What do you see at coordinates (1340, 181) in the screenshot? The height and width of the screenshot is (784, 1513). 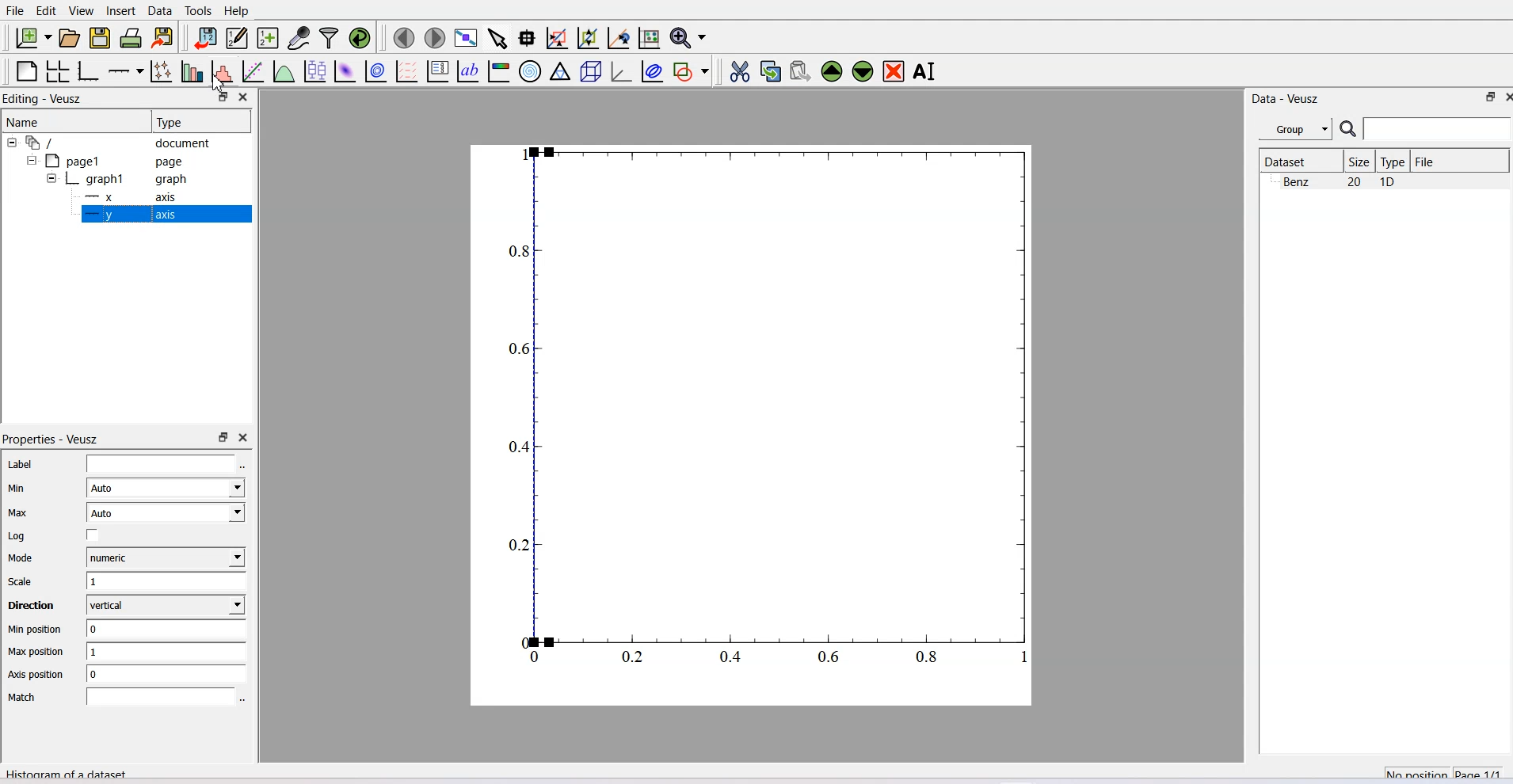 I see `Benz 20 10 ` at bounding box center [1340, 181].